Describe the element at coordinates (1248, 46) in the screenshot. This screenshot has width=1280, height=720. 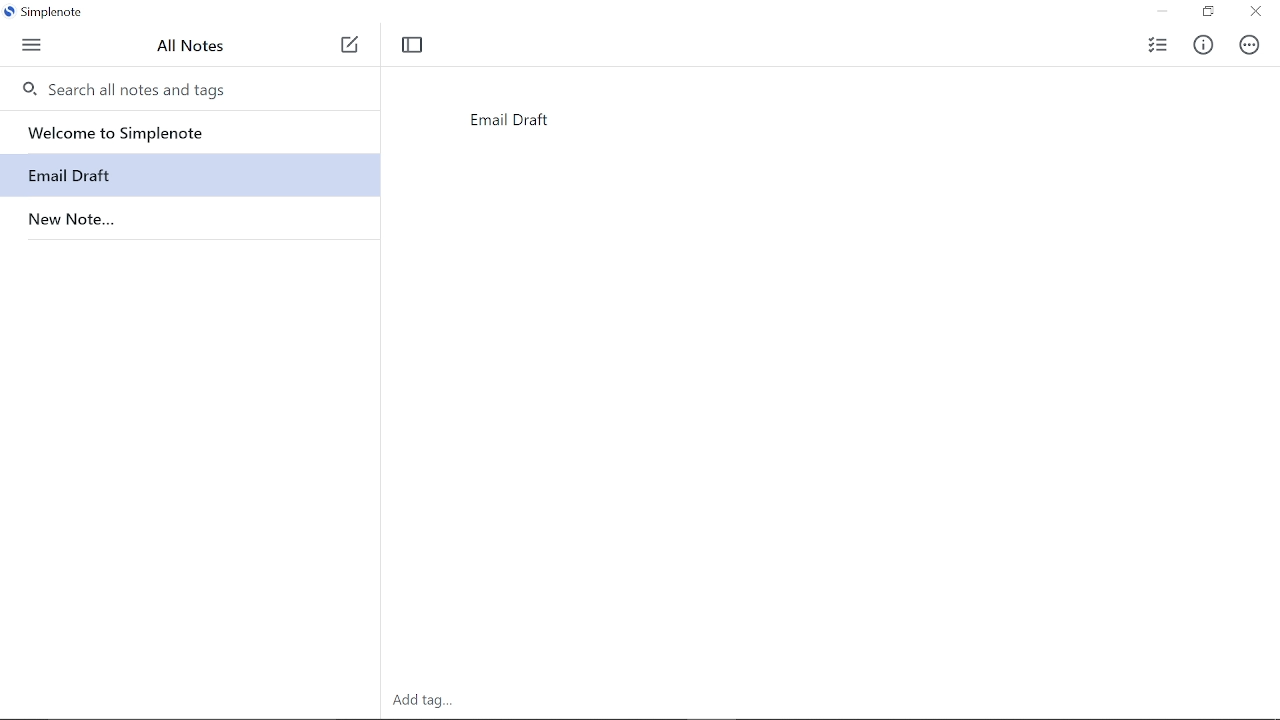
I see `Actions` at that location.